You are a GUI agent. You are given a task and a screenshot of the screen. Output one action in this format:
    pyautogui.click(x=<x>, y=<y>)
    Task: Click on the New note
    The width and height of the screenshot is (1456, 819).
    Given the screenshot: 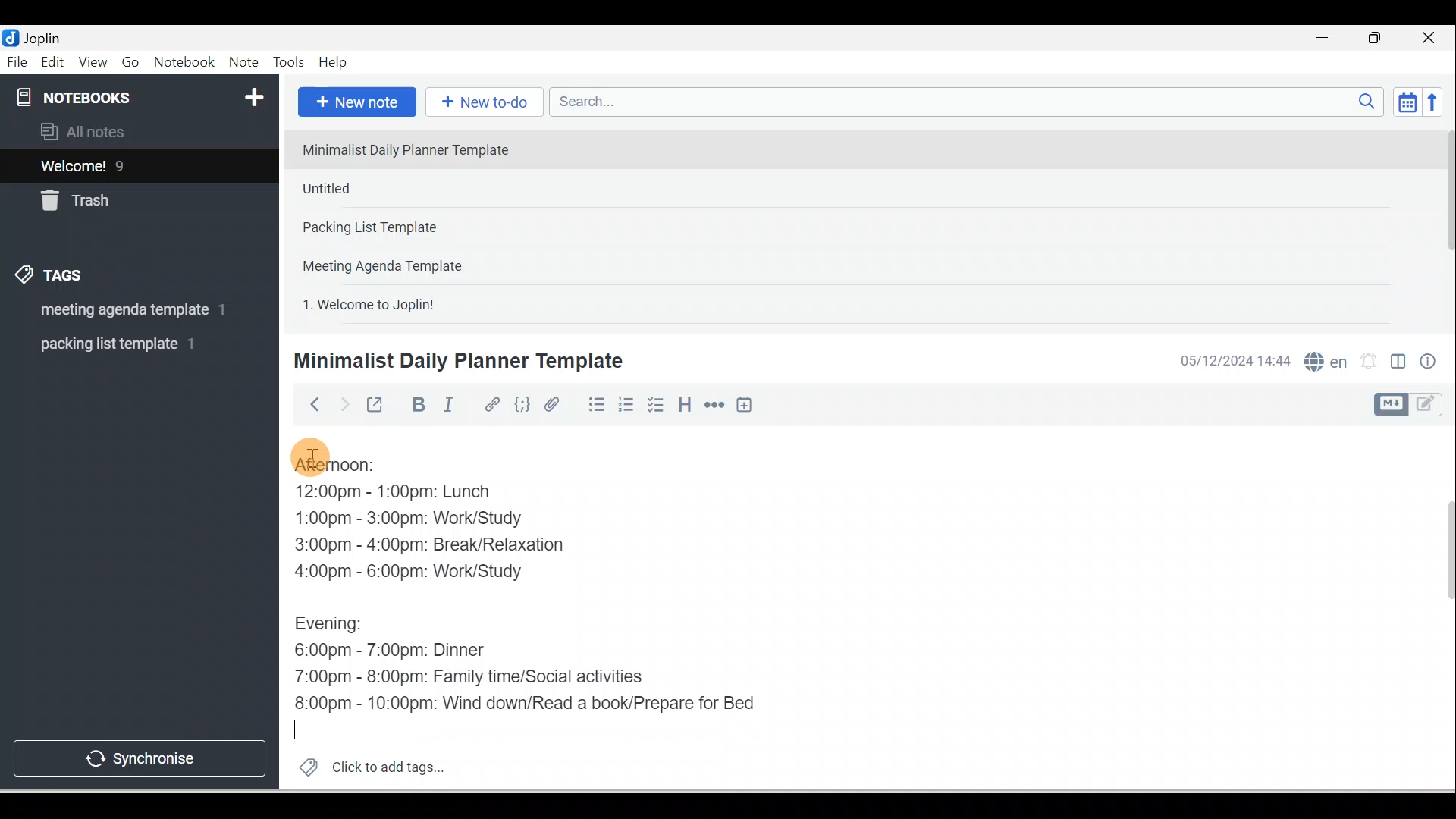 What is the action you would take?
    pyautogui.click(x=354, y=103)
    